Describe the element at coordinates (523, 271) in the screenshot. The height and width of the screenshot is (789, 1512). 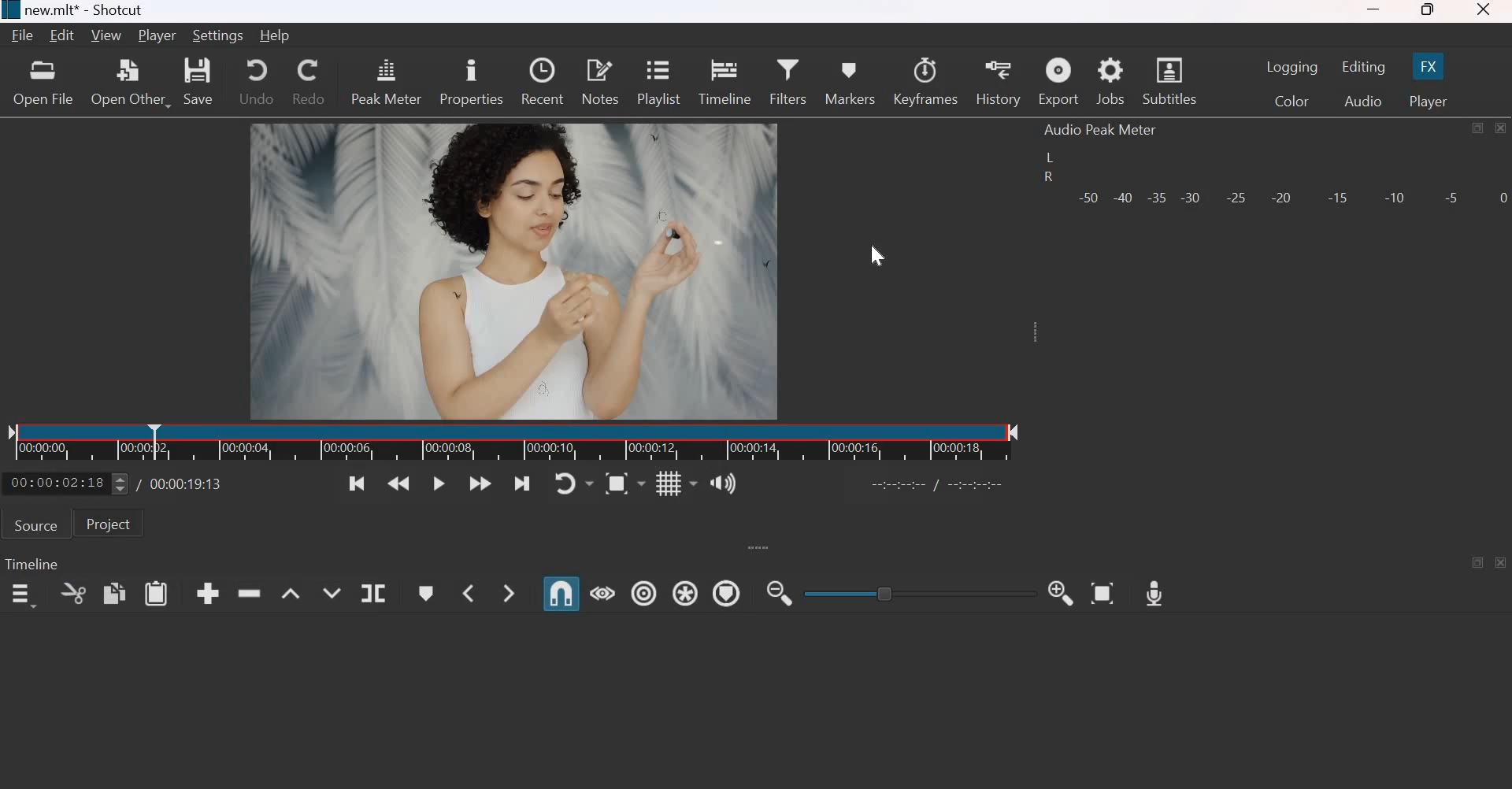
I see `Canvas` at that location.